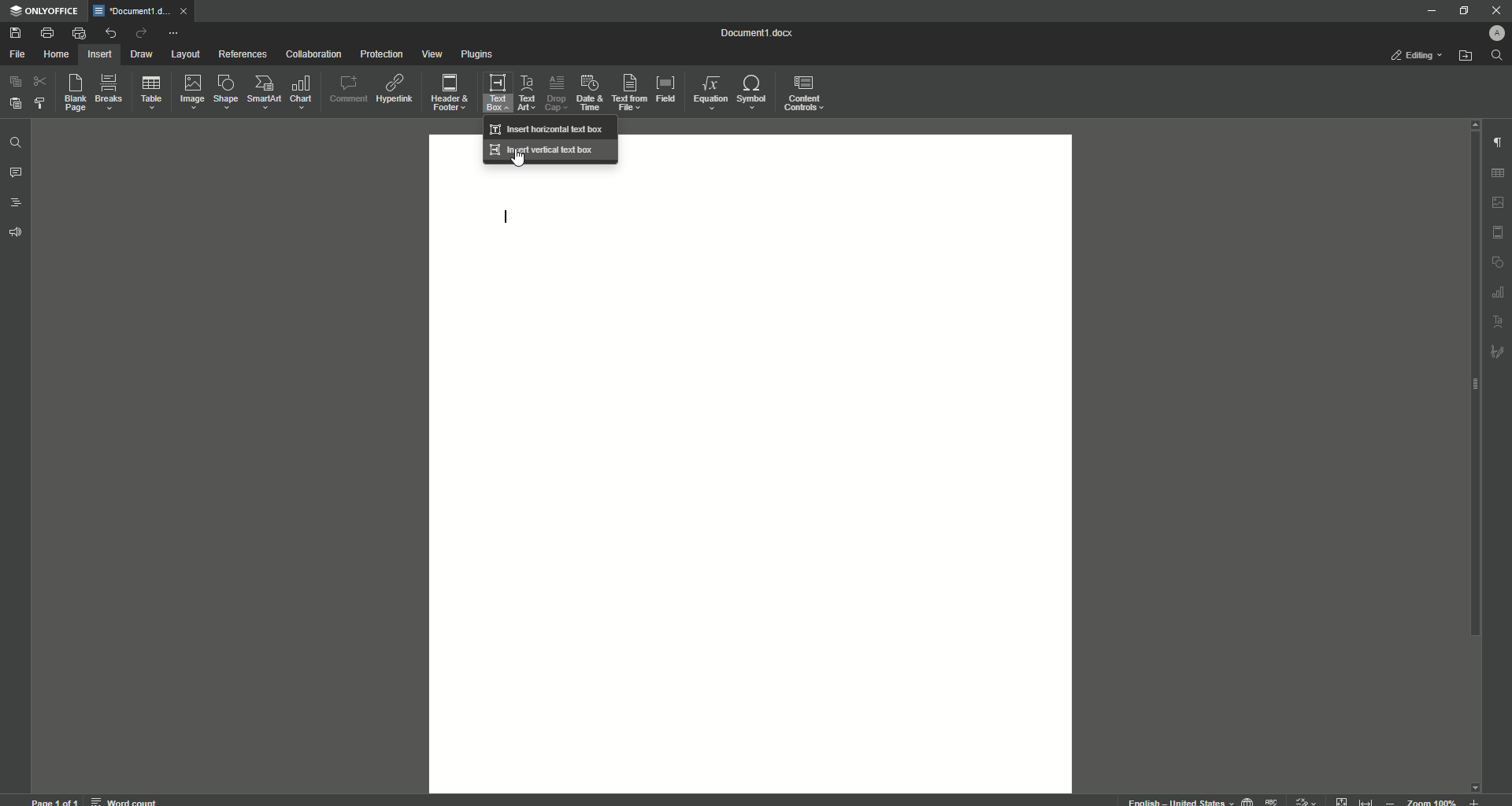 This screenshot has width=1512, height=806. Describe the element at coordinates (1369, 800) in the screenshot. I see `fit to width` at that location.